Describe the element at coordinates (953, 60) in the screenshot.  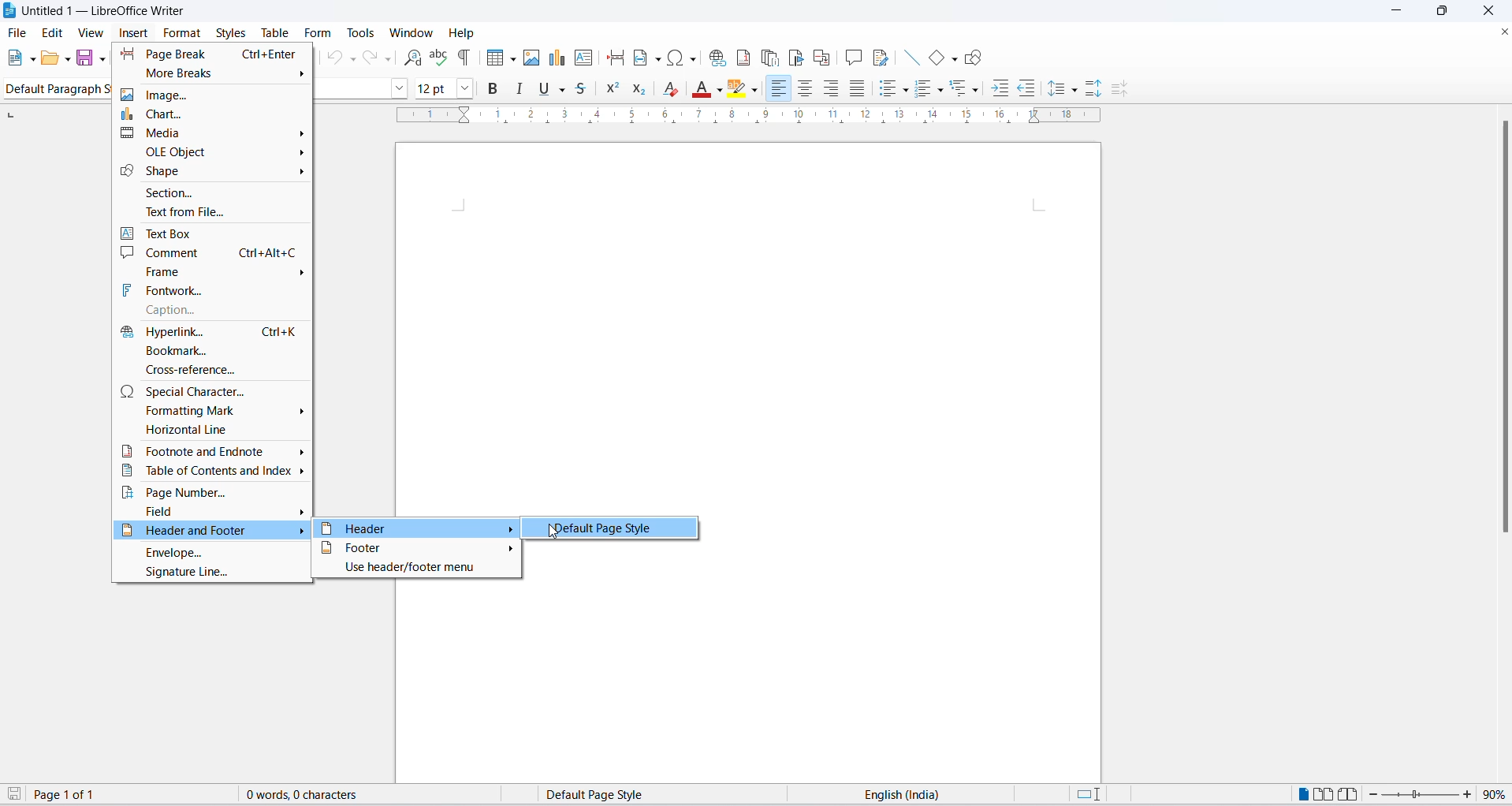
I see `basic shapes options` at that location.